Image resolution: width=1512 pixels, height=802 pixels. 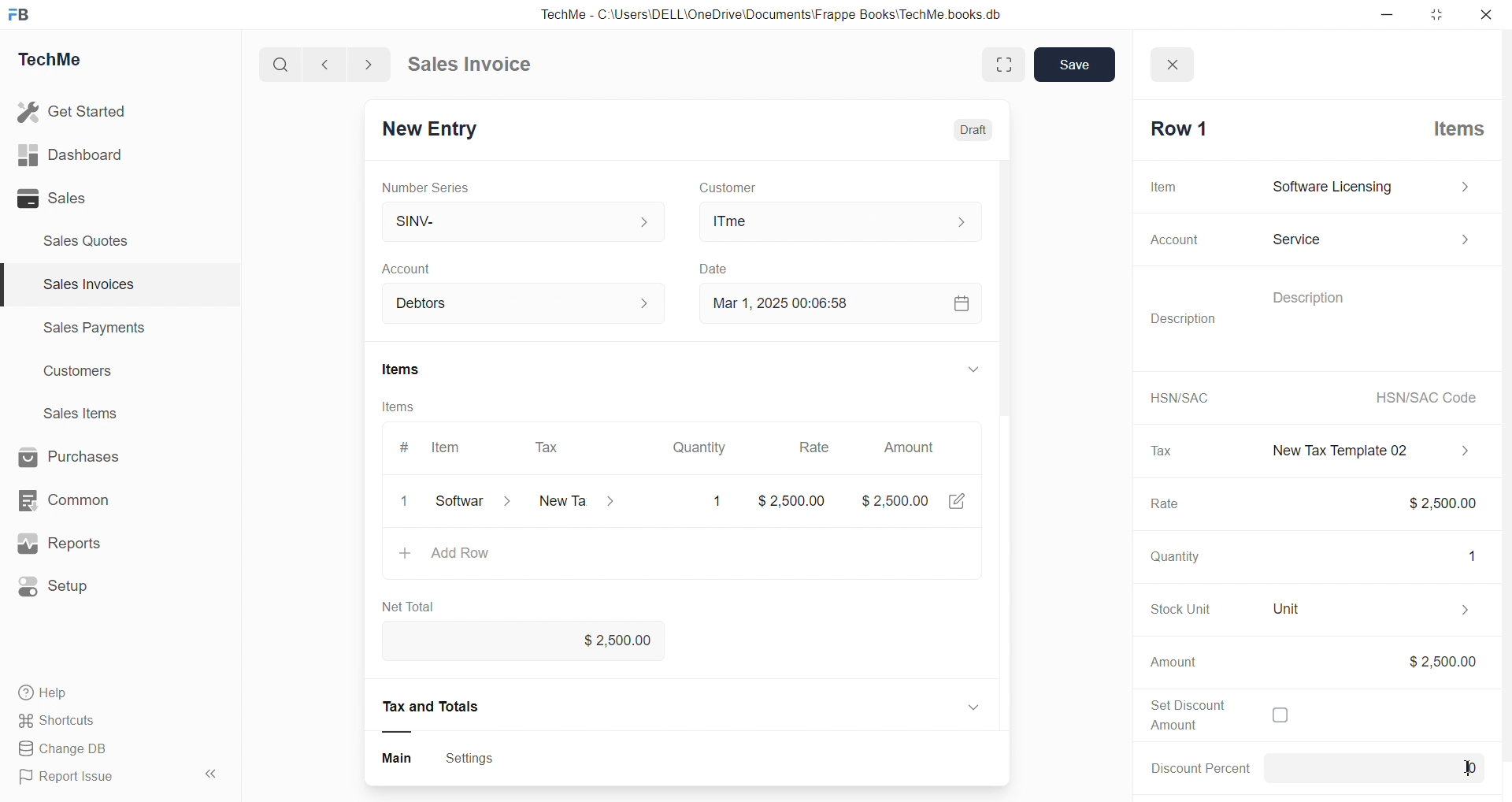 What do you see at coordinates (476, 66) in the screenshot?
I see `Sales Invoice` at bounding box center [476, 66].